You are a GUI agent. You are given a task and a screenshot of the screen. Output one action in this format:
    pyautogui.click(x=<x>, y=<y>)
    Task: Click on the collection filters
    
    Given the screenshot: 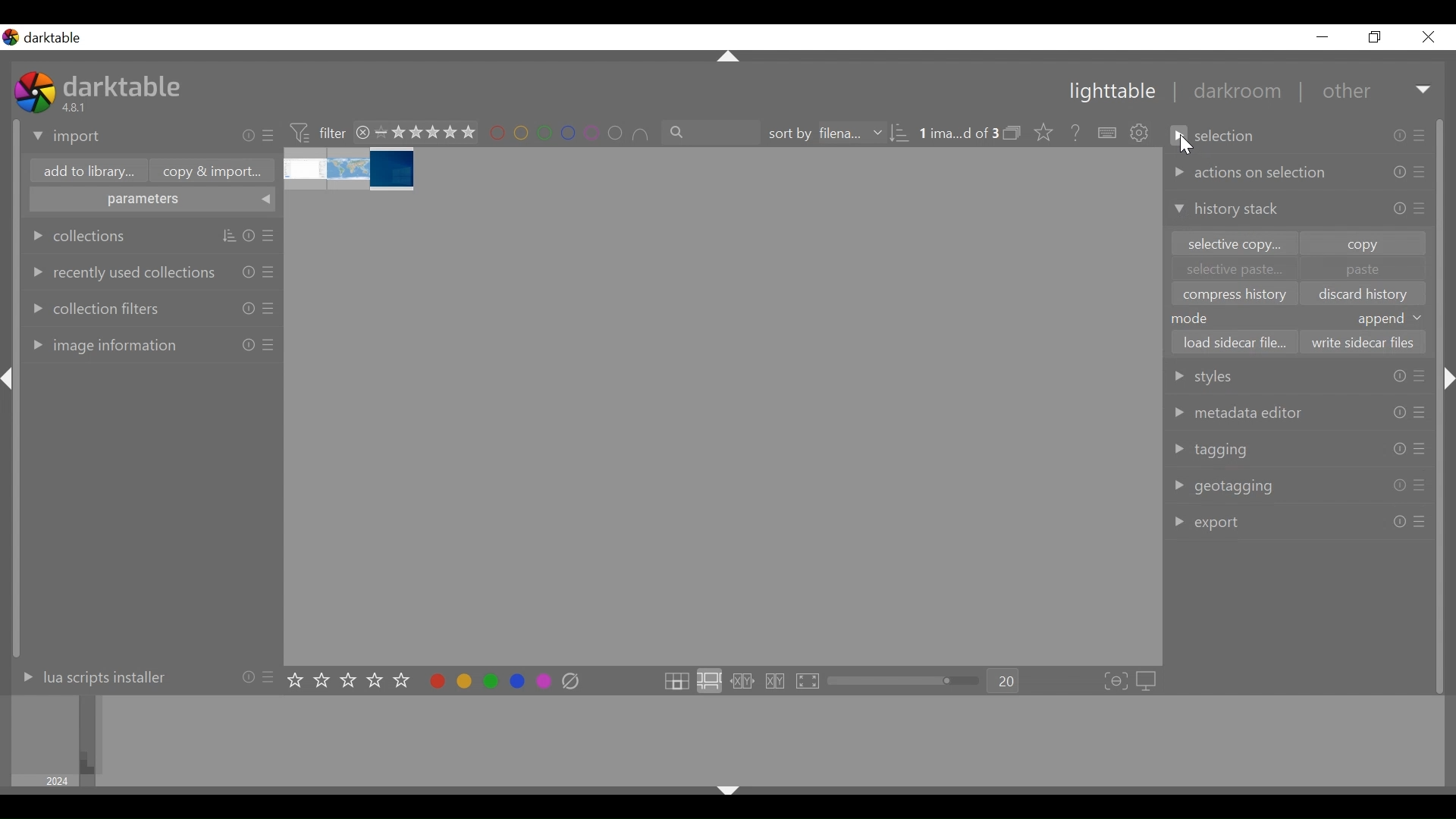 What is the action you would take?
    pyautogui.click(x=94, y=306)
    